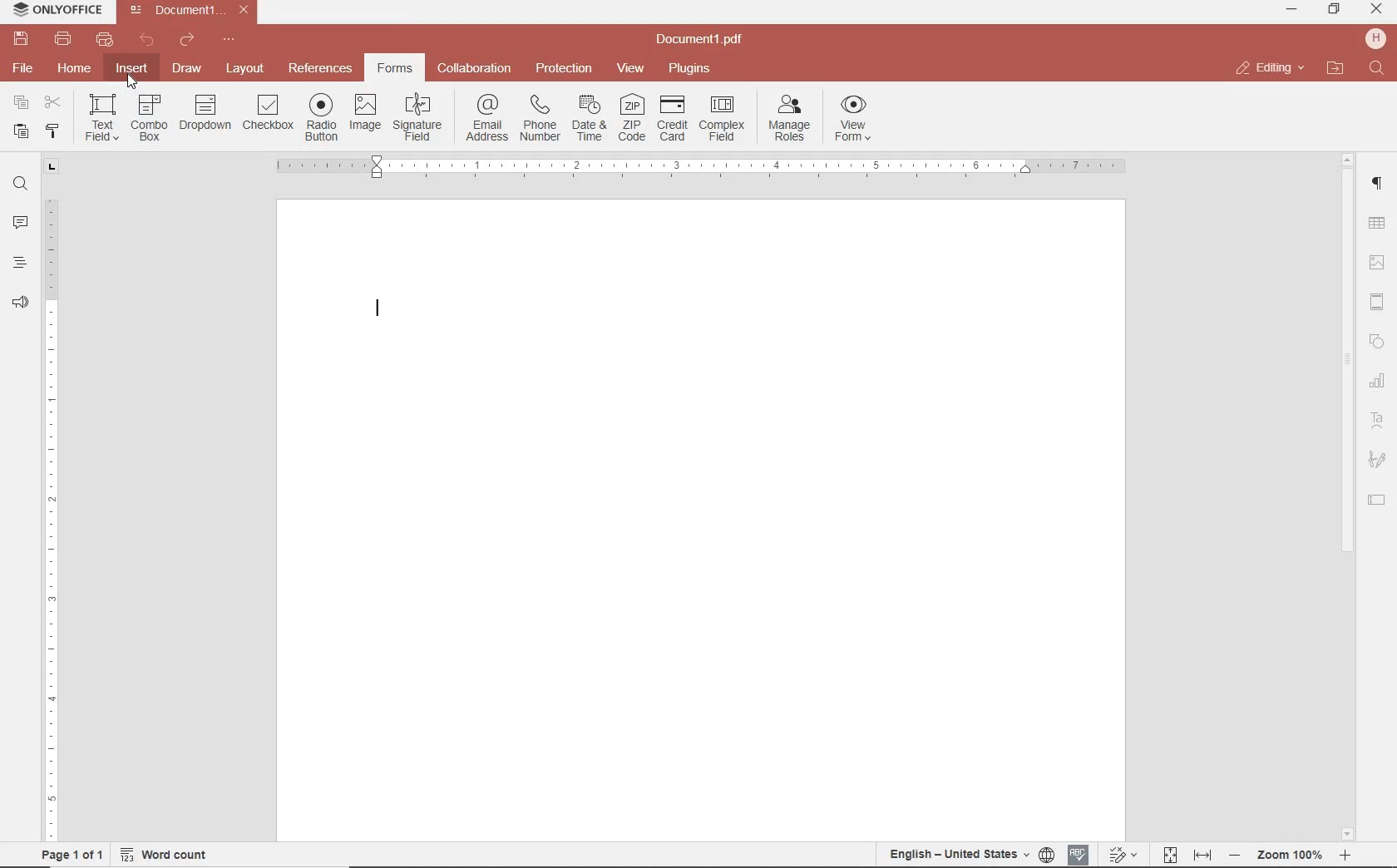  What do you see at coordinates (322, 117) in the screenshot?
I see `insert radio button` at bounding box center [322, 117].